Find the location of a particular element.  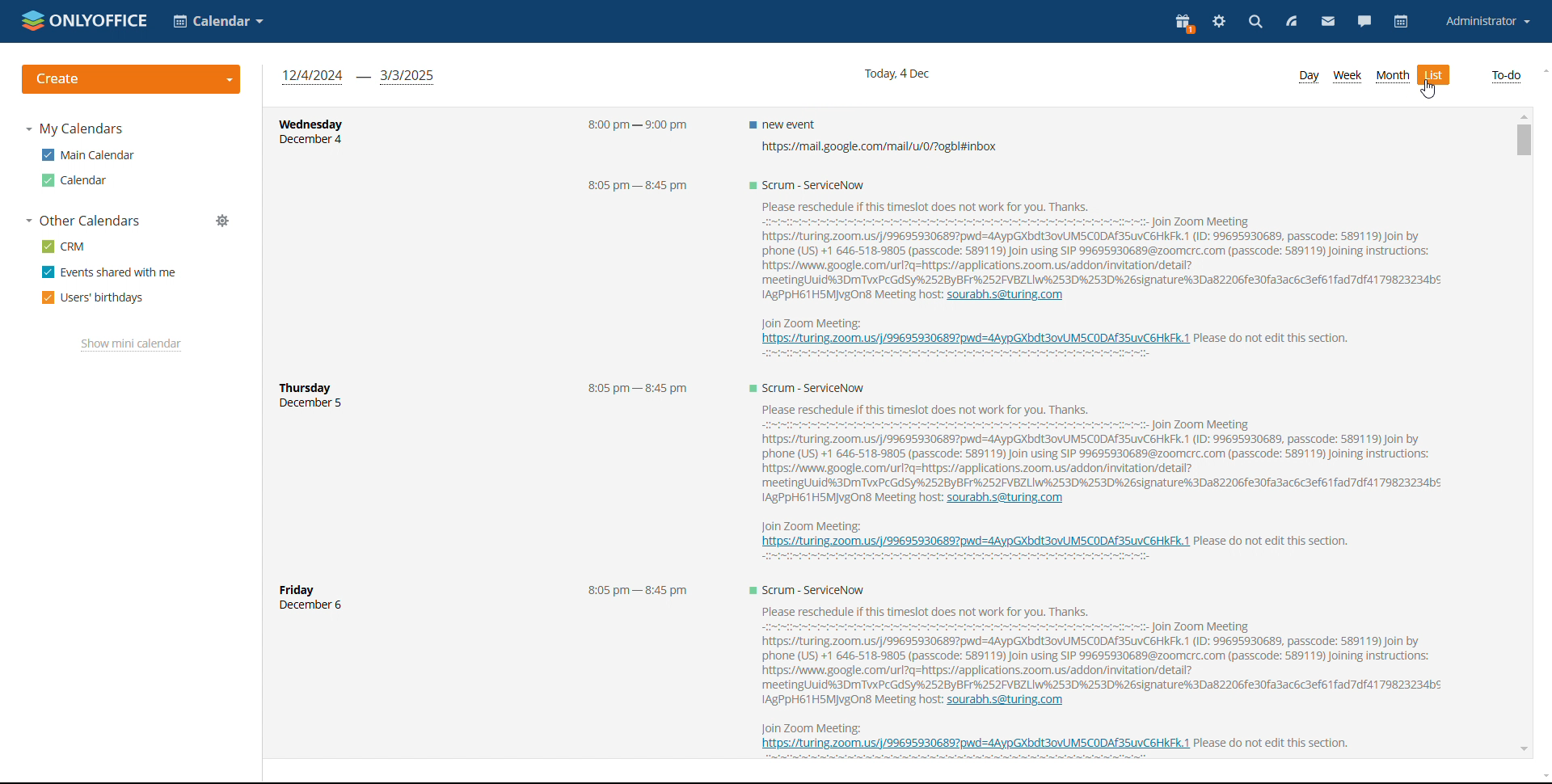

calendar is located at coordinates (1401, 22).